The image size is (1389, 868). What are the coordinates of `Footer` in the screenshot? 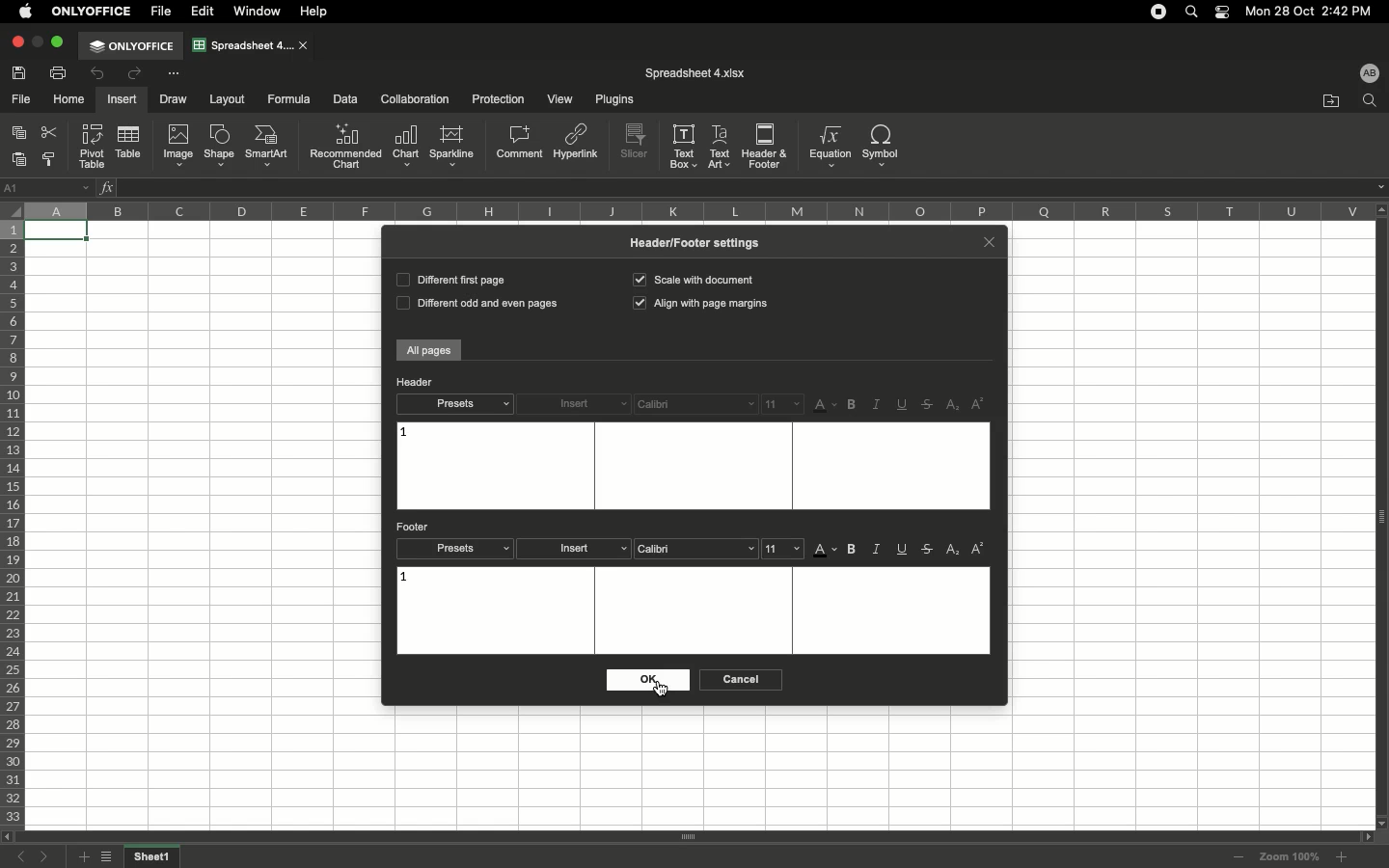 It's located at (415, 527).